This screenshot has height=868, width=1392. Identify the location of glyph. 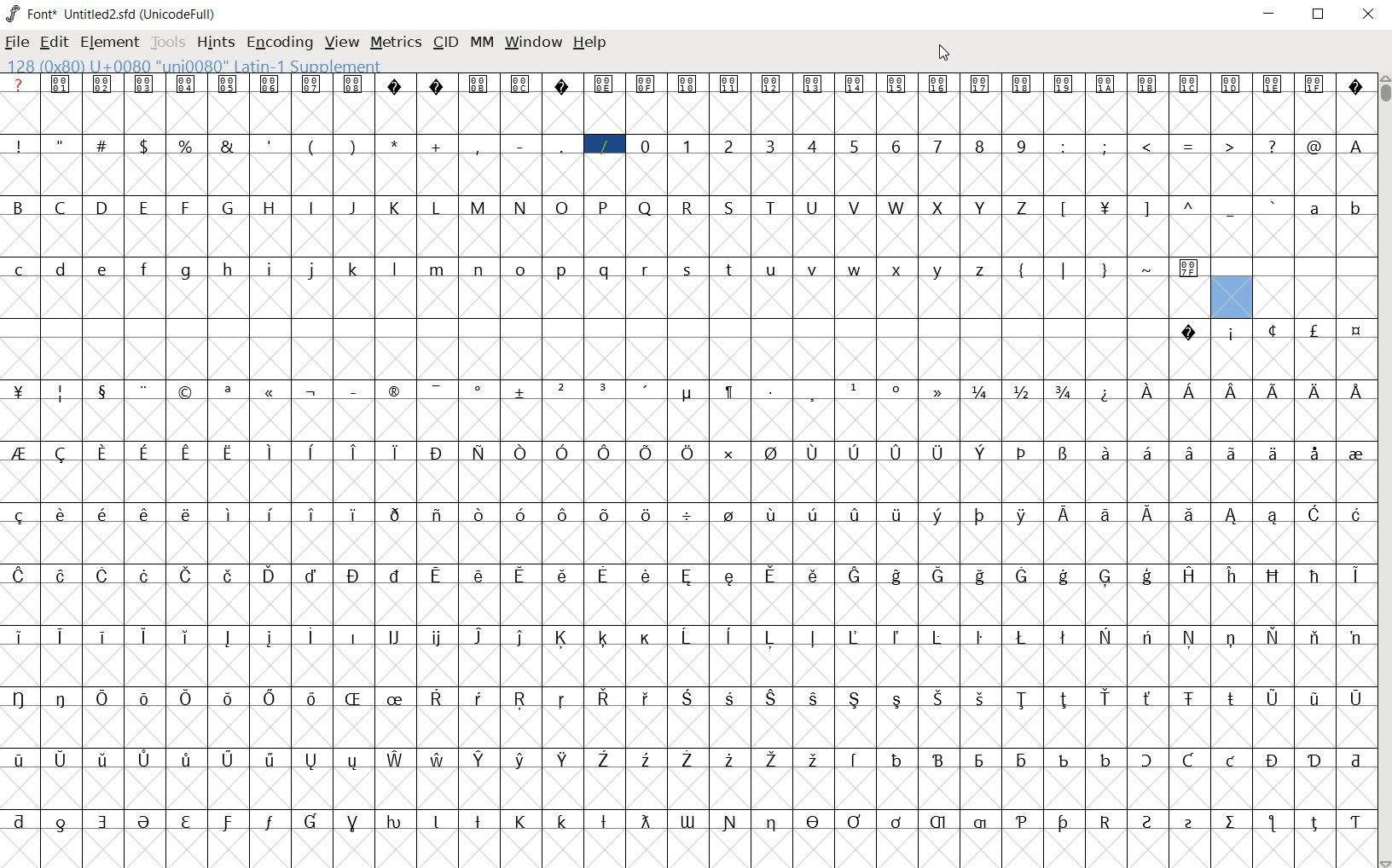
(981, 271).